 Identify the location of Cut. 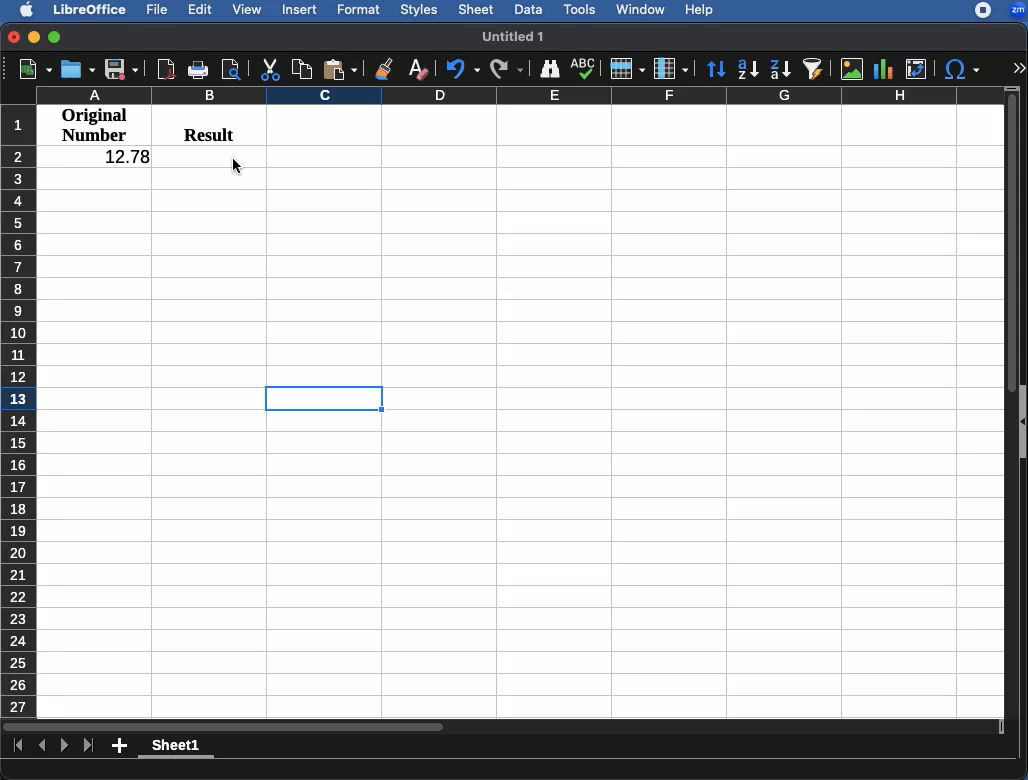
(267, 69).